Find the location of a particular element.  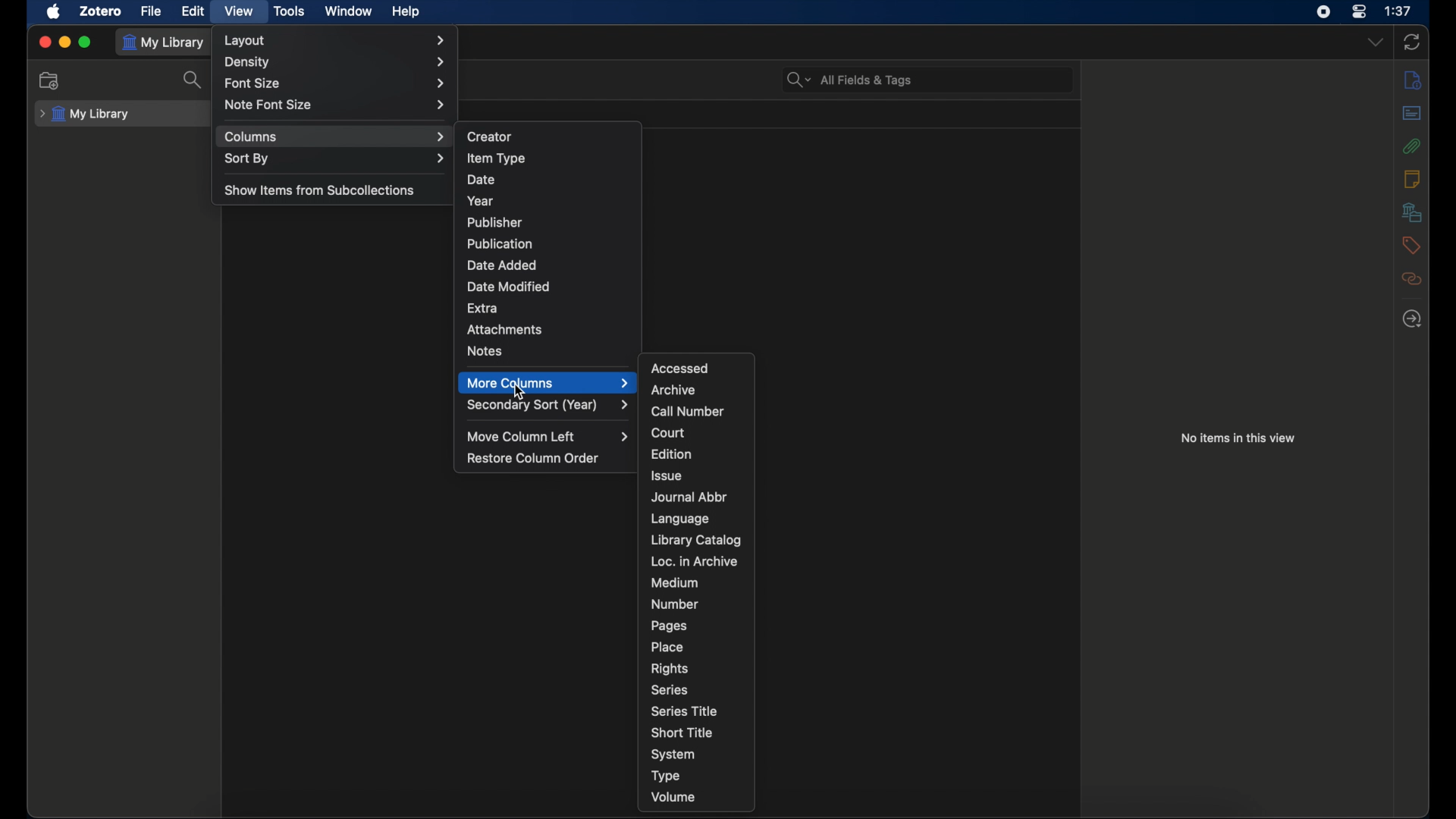

issue is located at coordinates (669, 475).